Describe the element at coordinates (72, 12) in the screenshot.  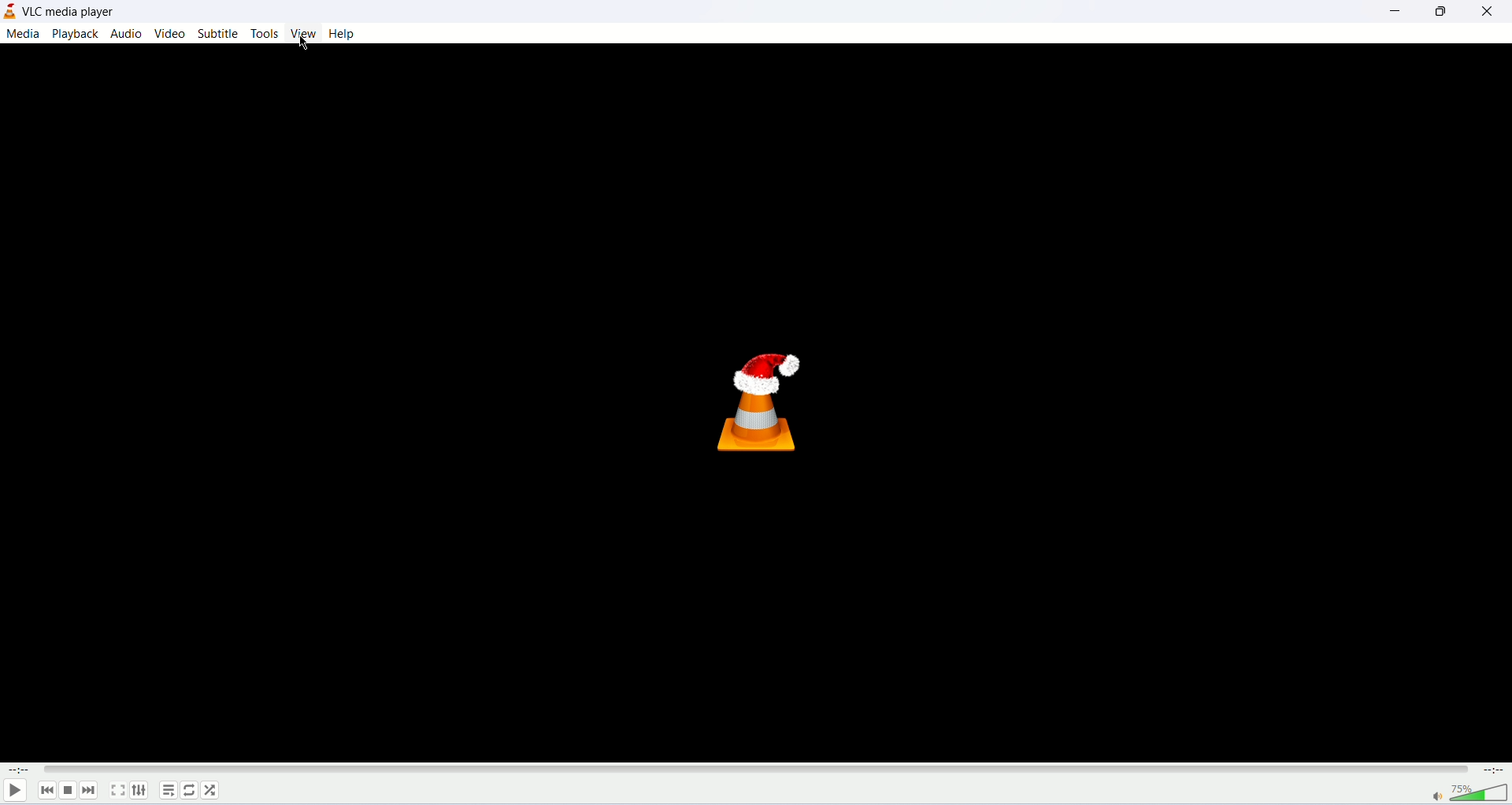
I see `VLC media player` at that location.